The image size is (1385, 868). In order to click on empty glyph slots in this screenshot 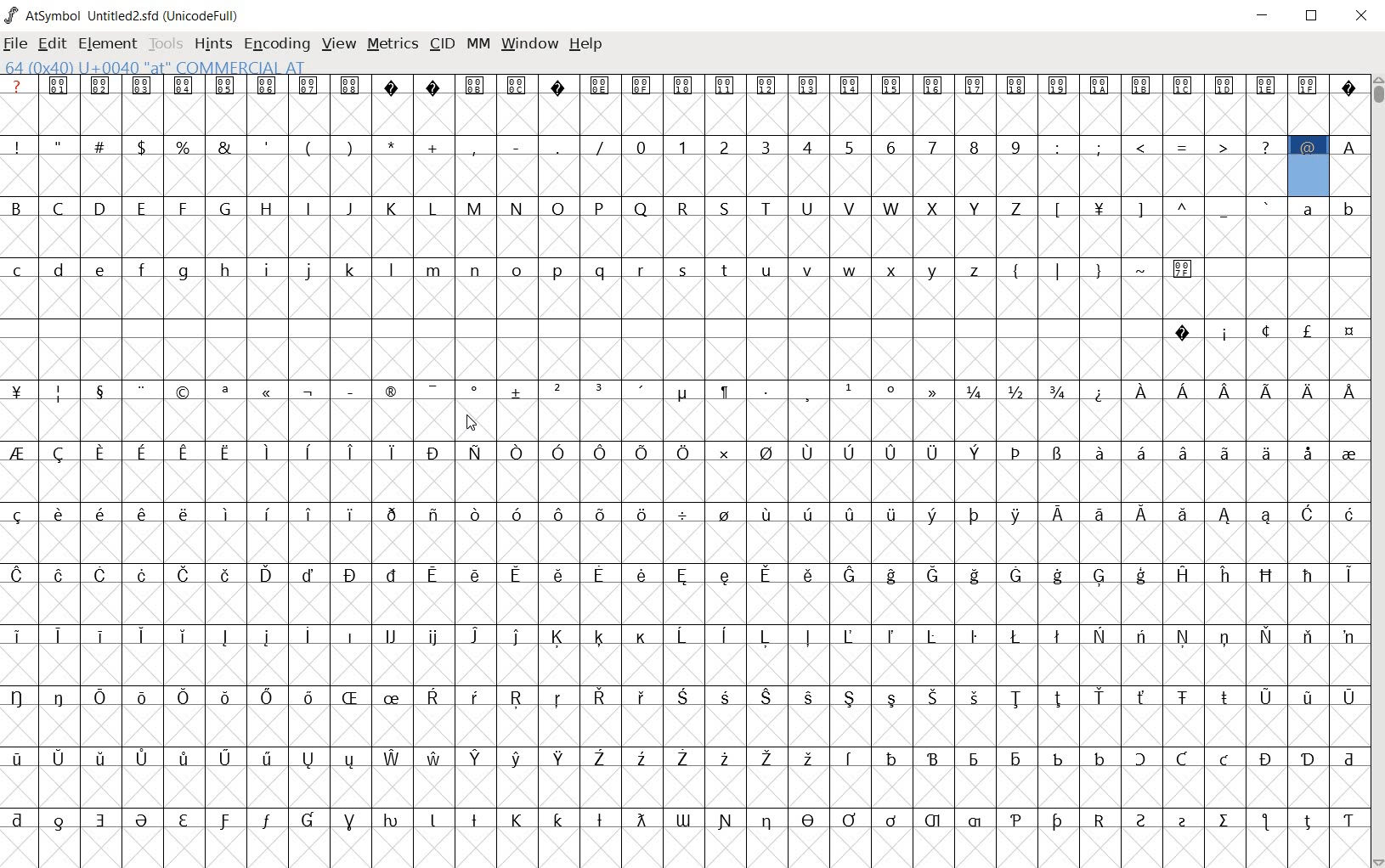, I will do `click(682, 114)`.